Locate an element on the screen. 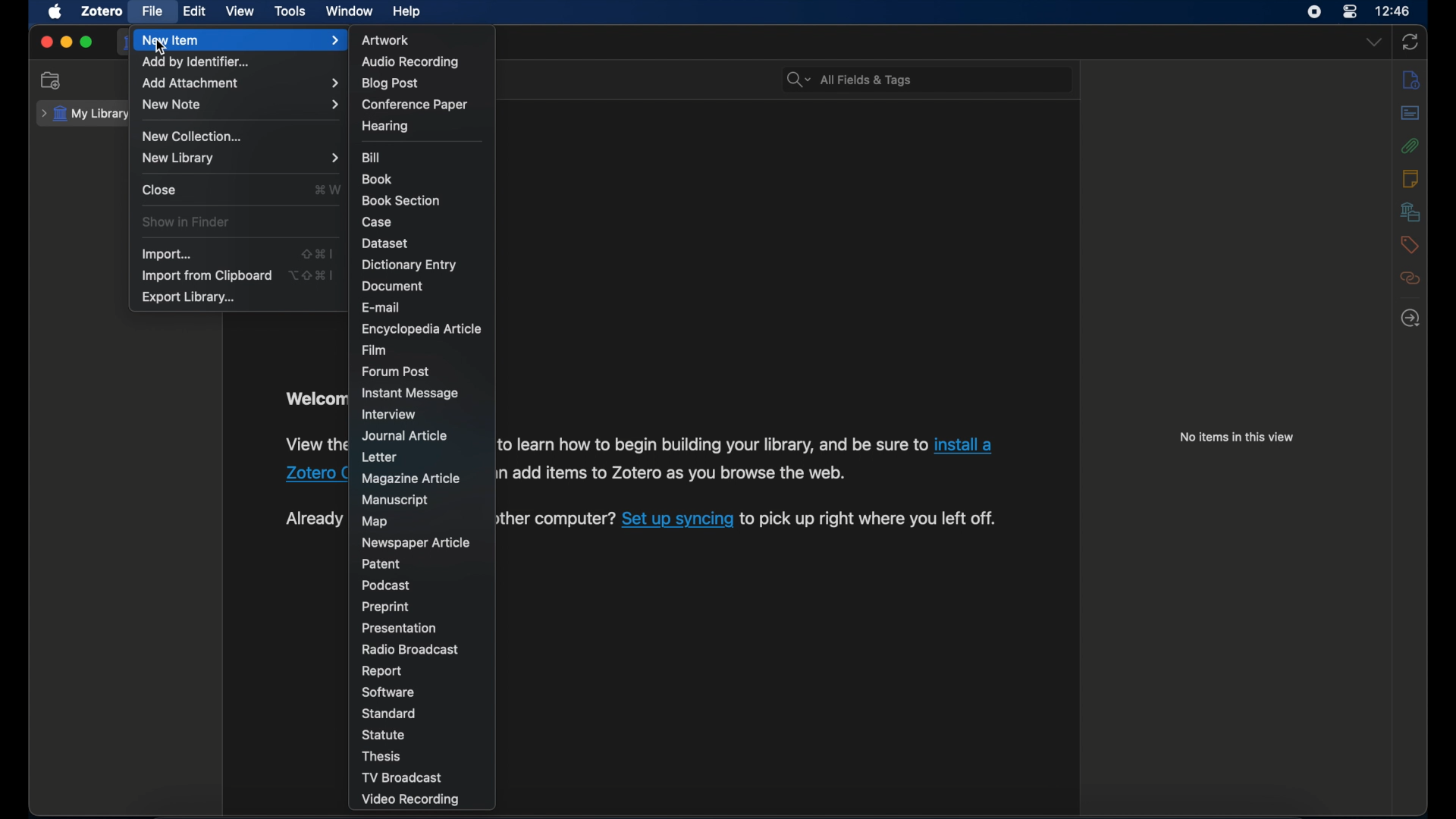  tags is located at coordinates (1410, 245).